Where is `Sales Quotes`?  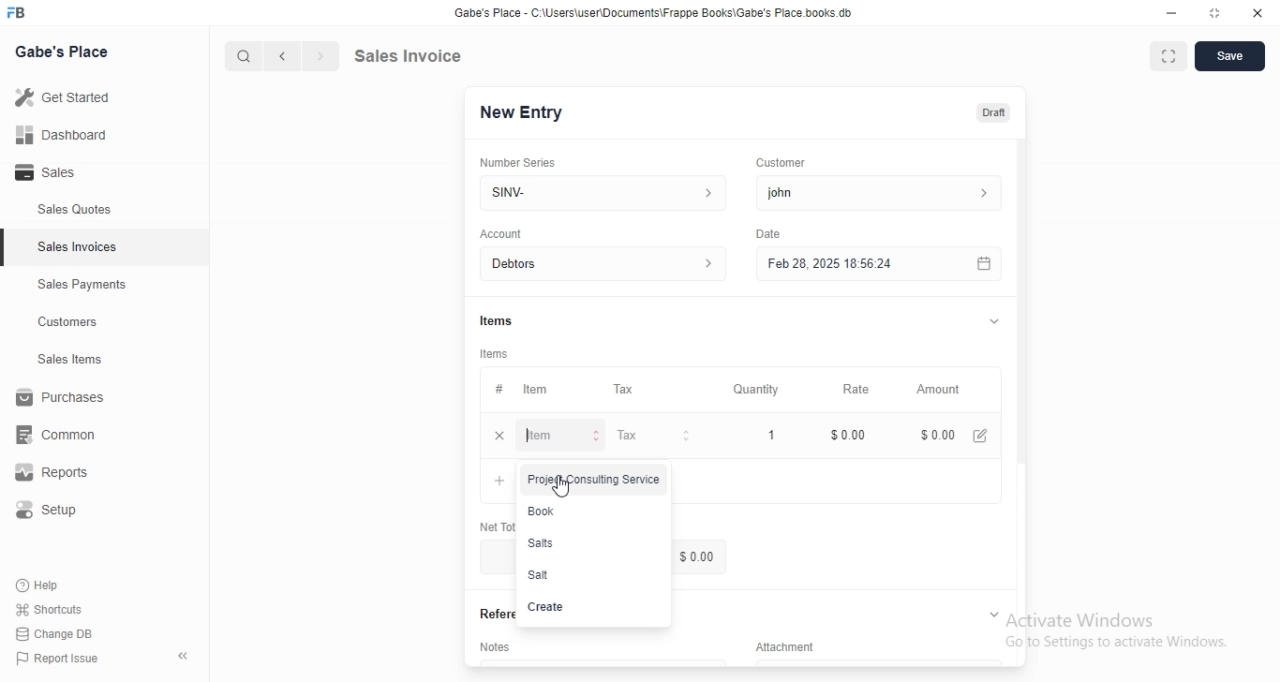
Sales Quotes is located at coordinates (64, 210).